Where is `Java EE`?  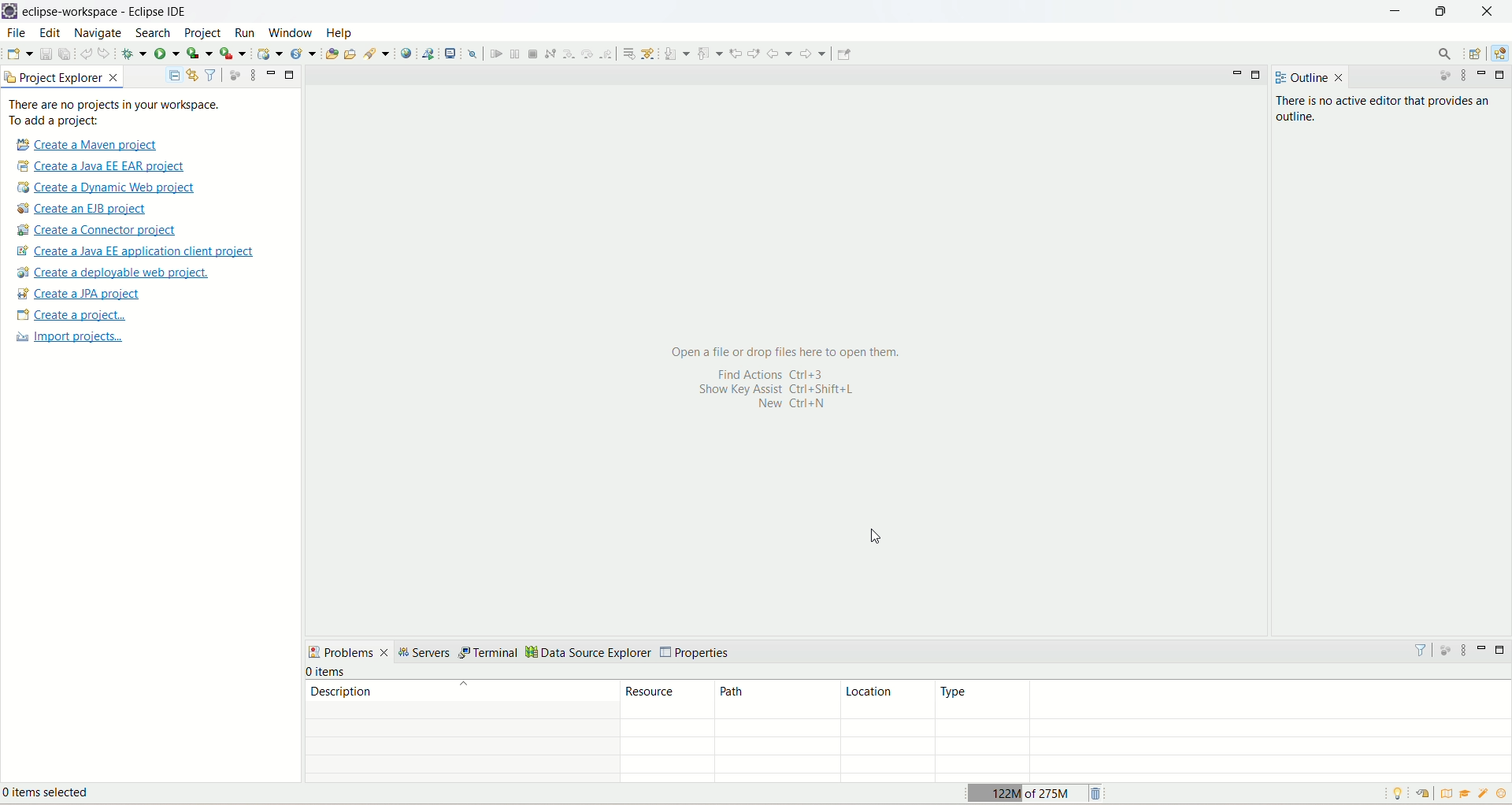
Java EE is located at coordinates (1498, 56).